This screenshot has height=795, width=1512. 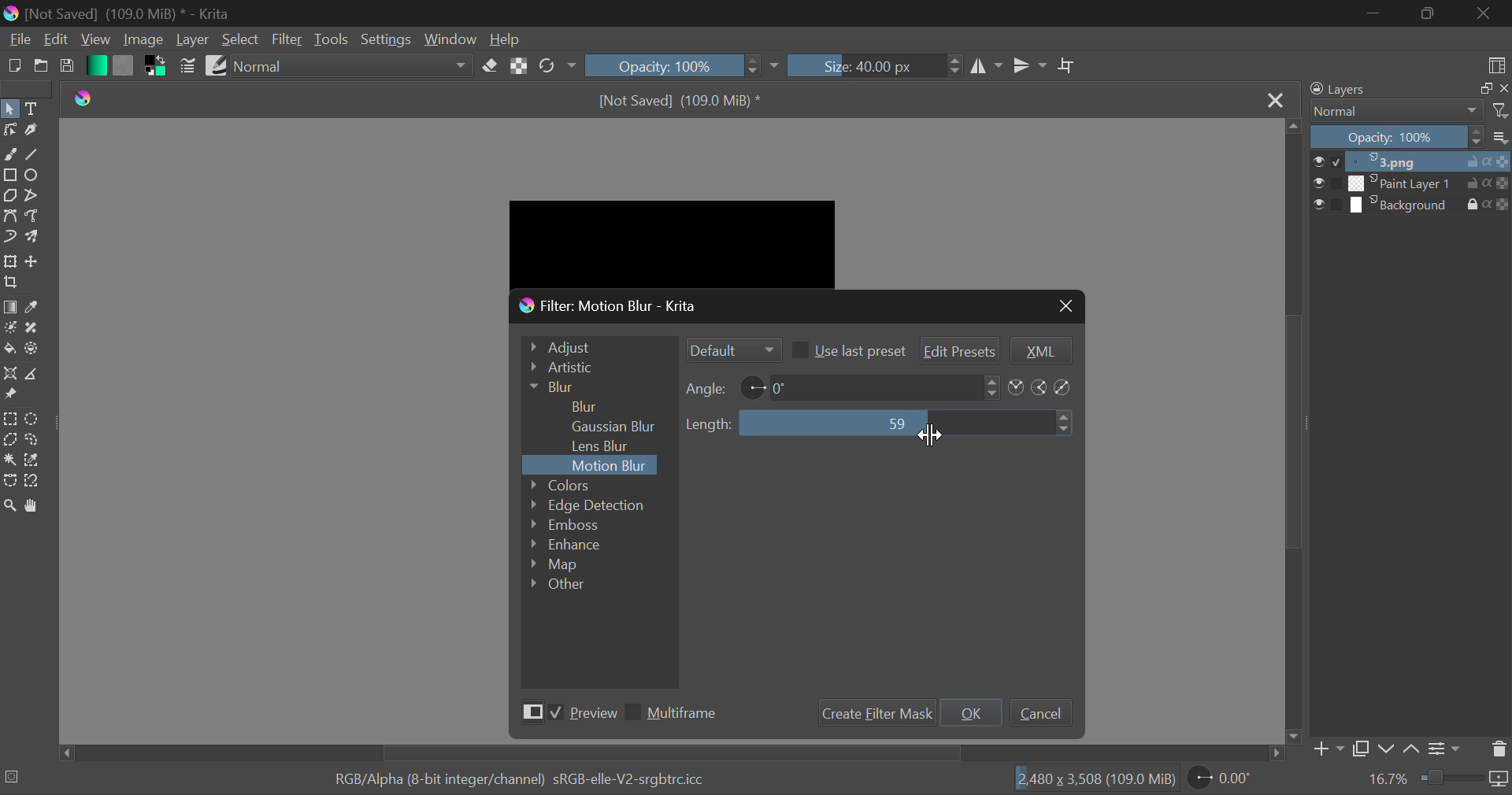 What do you see at coordinates (1484, 14) in the screenshot?
I see `Close` at bounding box center [1484, 14].